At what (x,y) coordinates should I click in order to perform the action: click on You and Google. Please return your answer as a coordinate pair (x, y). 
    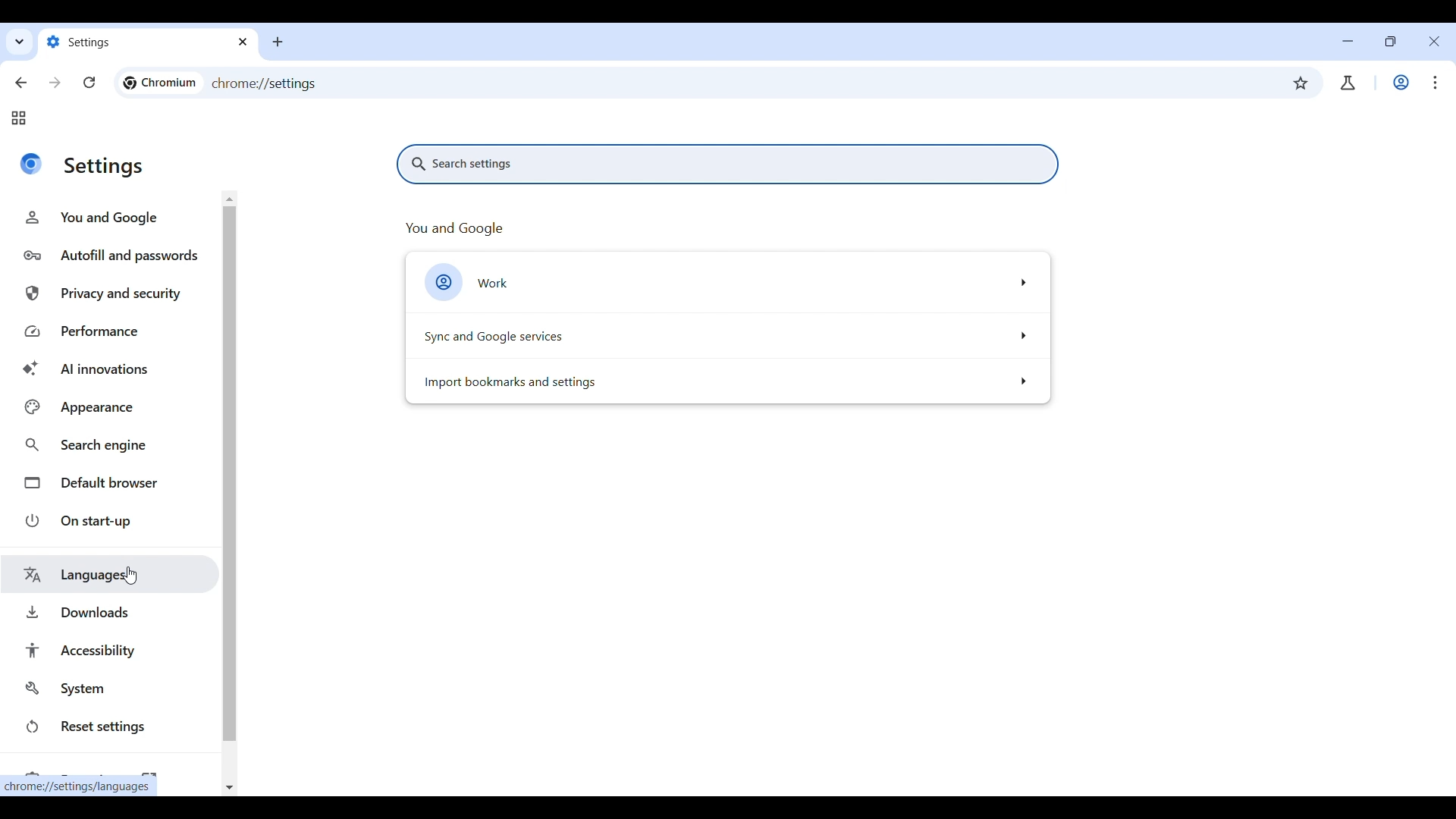
    Looking at the image, I should click on (109, 217).